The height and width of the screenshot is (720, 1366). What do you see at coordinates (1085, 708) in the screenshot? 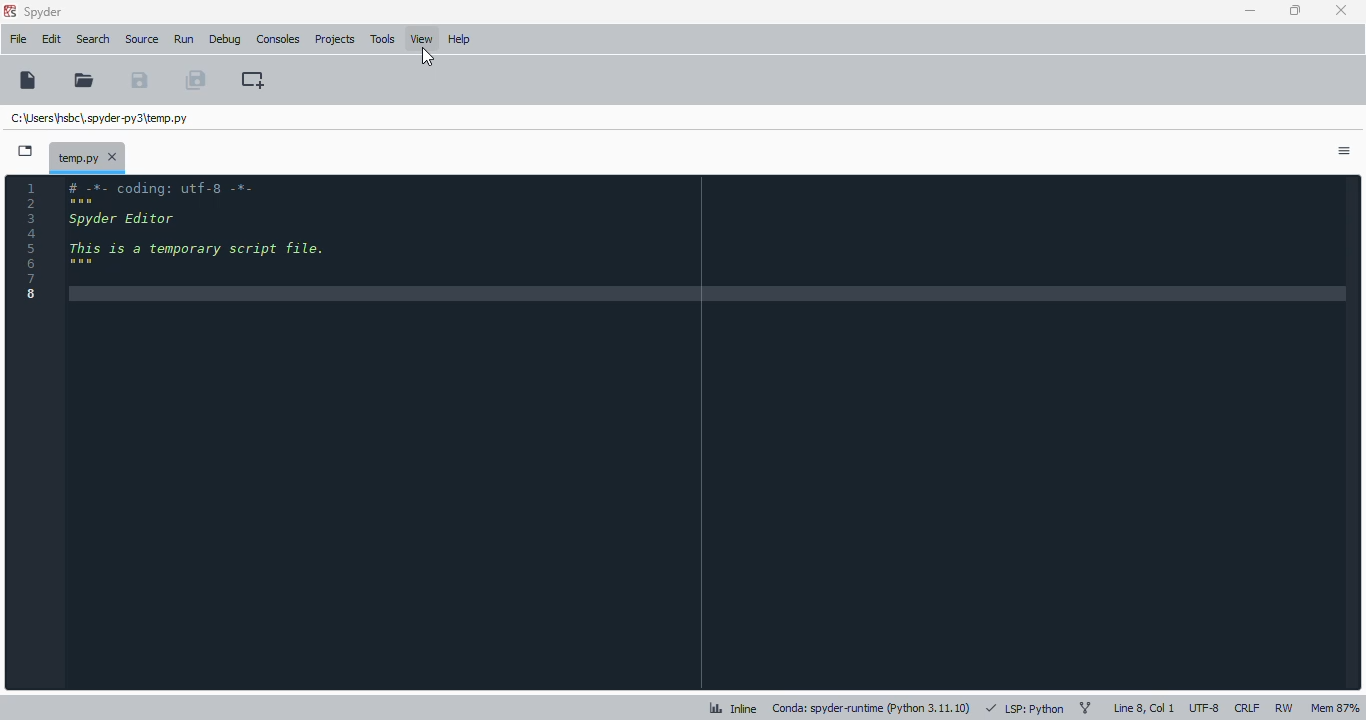
I see `git branch` at bounding box center [1085, 708].